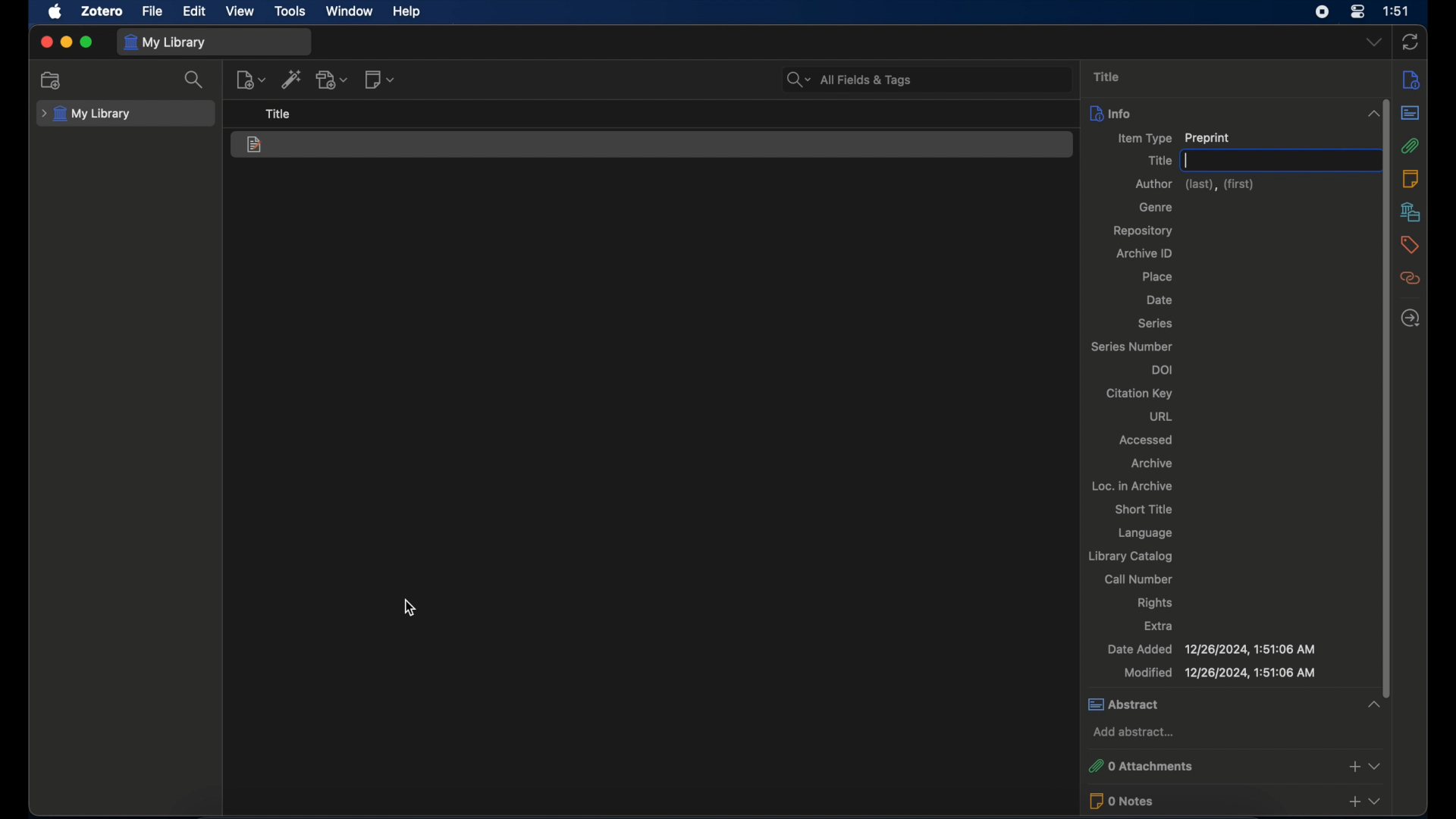  Describe the element at coordinates (1234, 767) in the screenshot. I see `0 attachments` at that location.